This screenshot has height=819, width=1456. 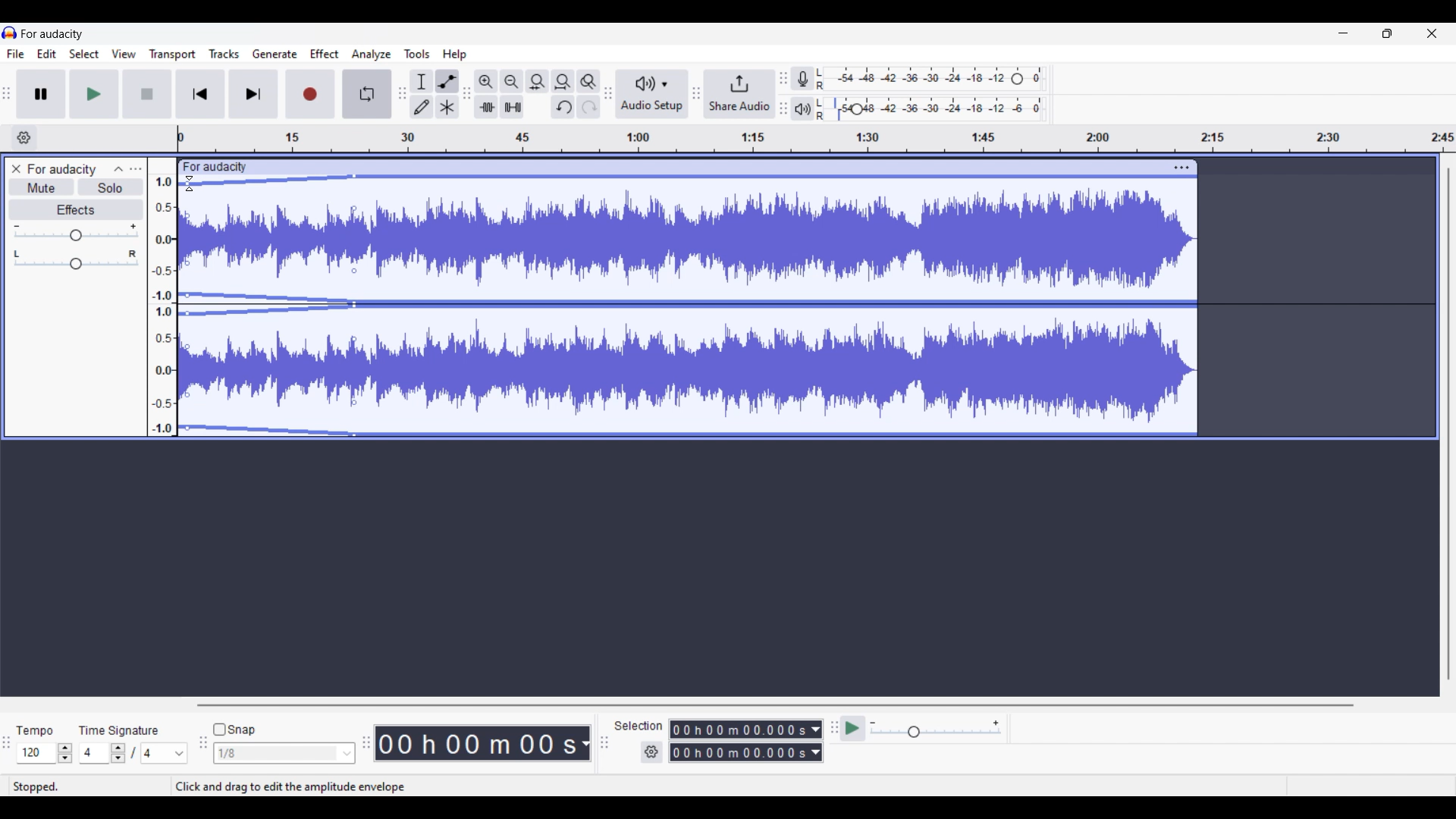 What do you see at coordinates (84, 54) in the screenshot?
I see `Select` at bounding box center [84, 54].